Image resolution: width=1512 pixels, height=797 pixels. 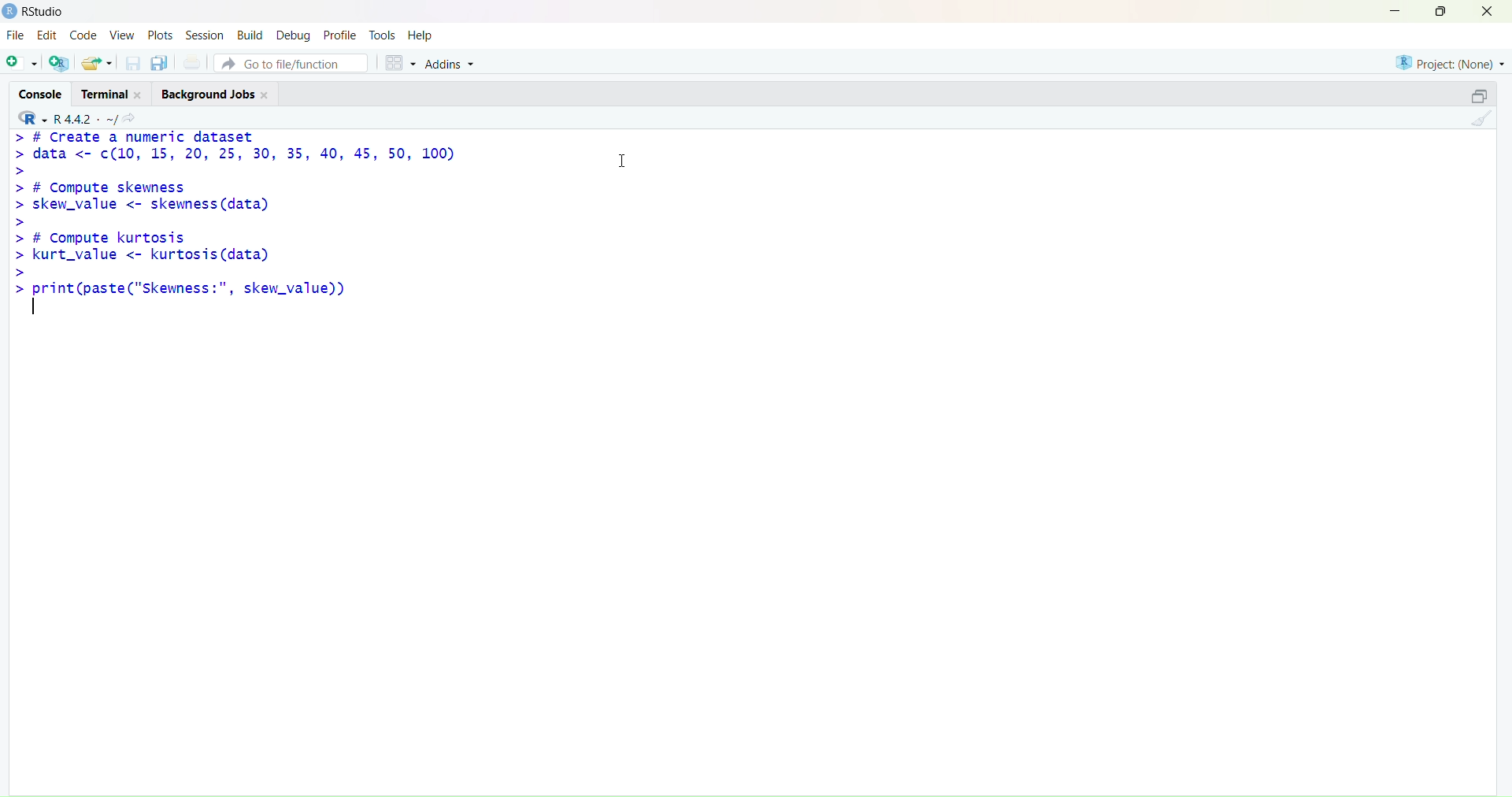 I want to click on Clear Console (Ctrl + L), so click(x=1478, y=124).